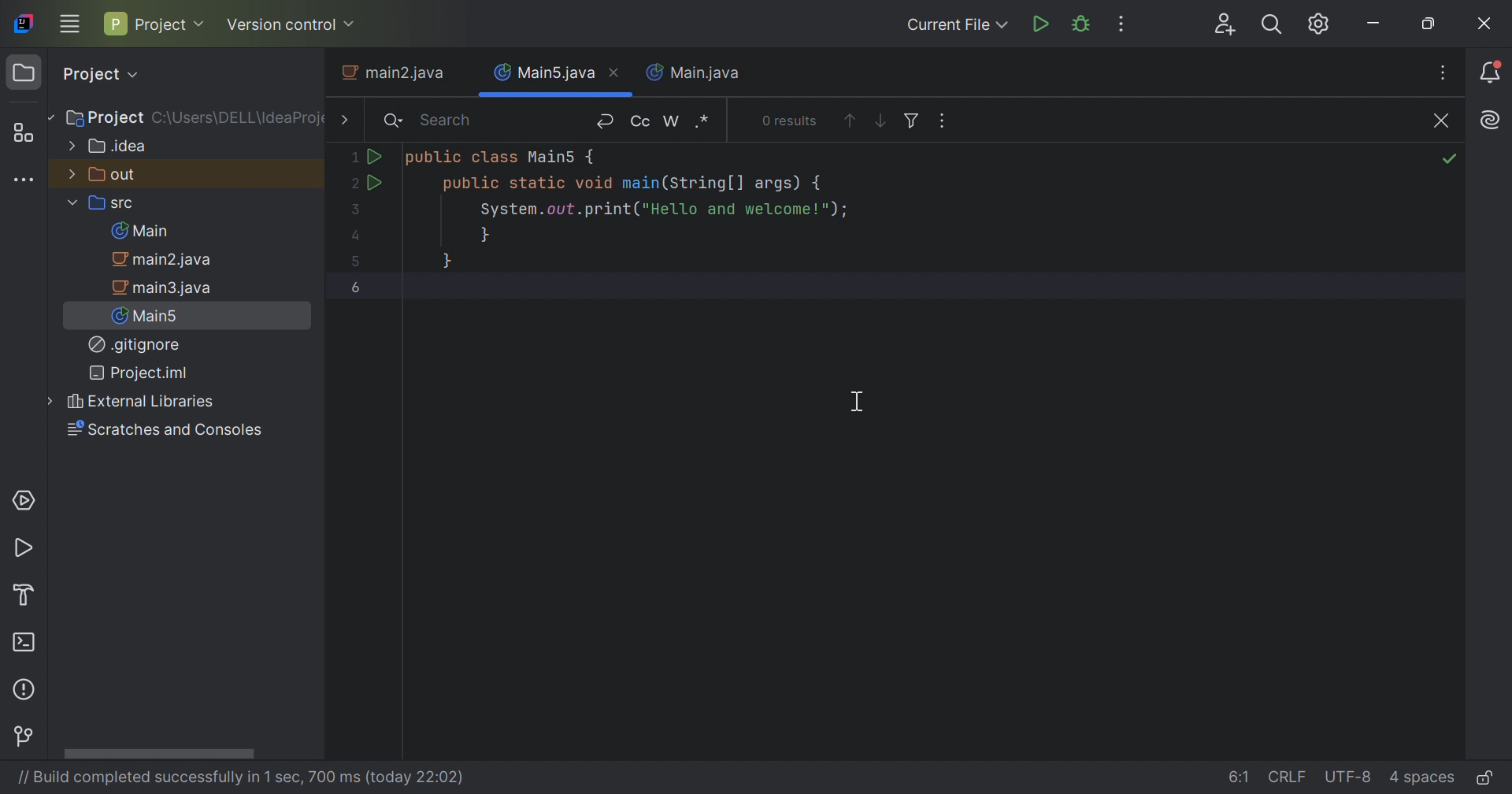  Describe the element at coordinates (792, 121) in the screenshot. I see `0 results` at that location.